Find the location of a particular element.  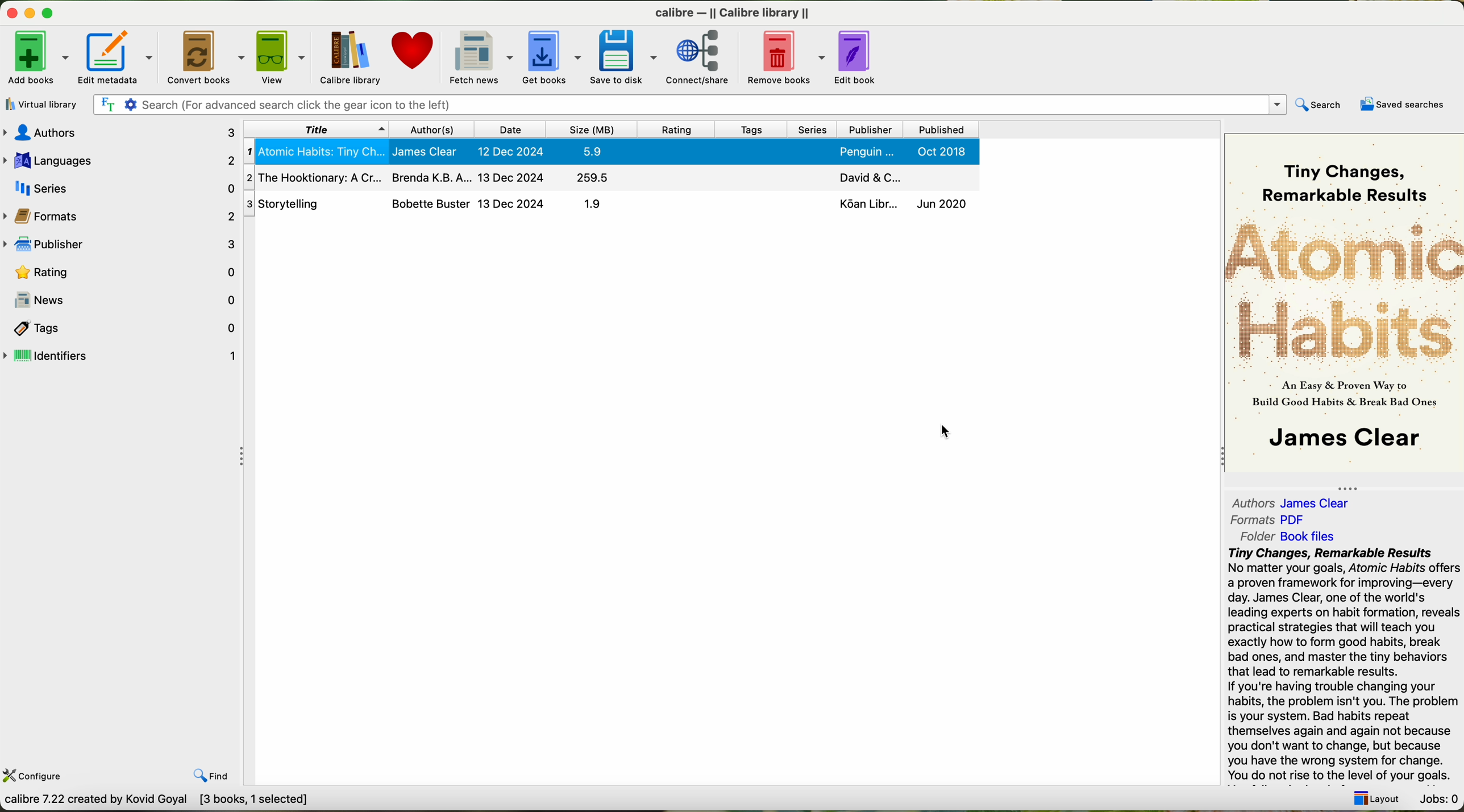

formats  is located at coordinates (1253, 520).